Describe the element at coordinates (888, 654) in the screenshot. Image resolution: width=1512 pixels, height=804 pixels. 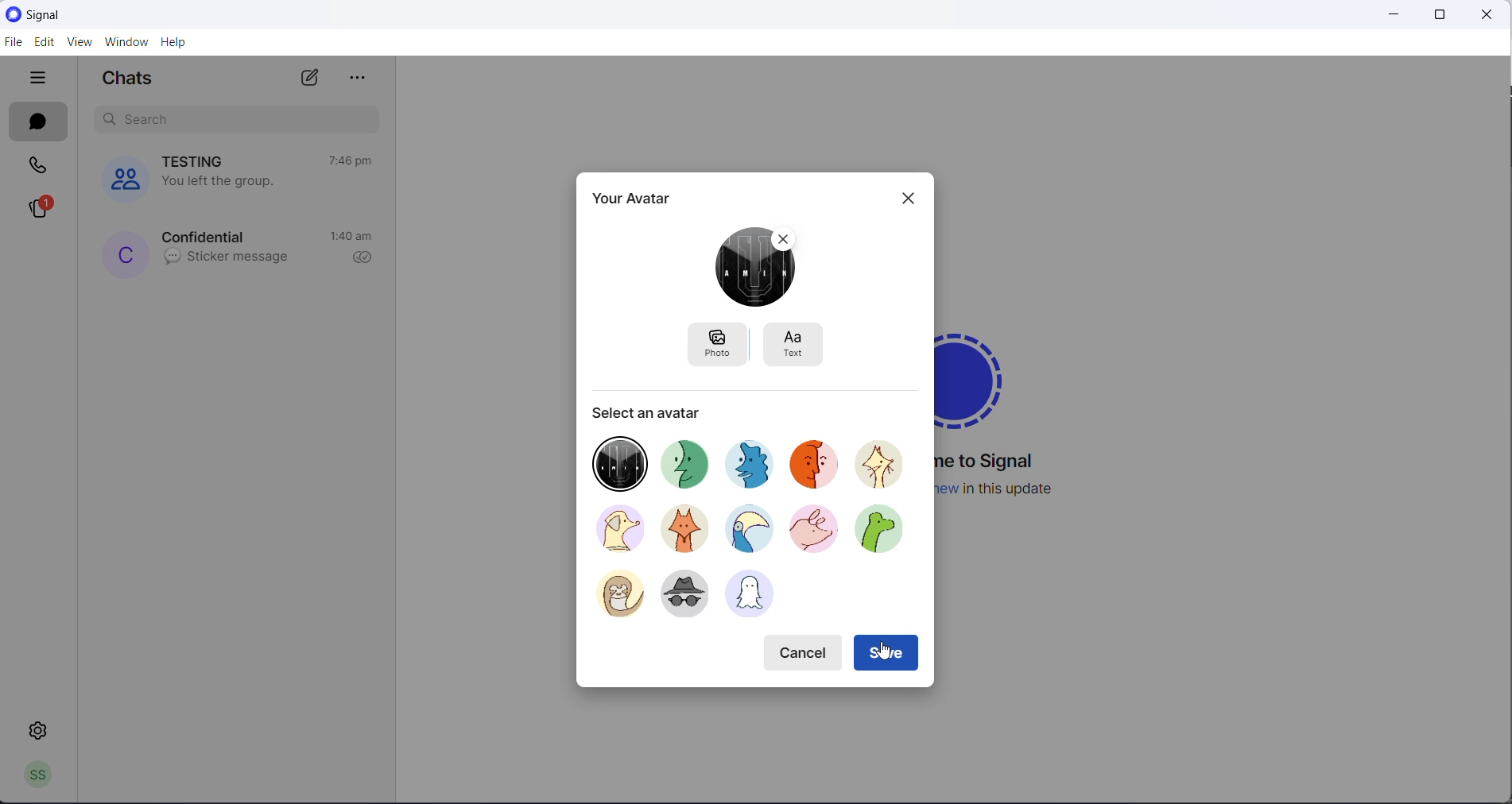
I see `save` at that location.